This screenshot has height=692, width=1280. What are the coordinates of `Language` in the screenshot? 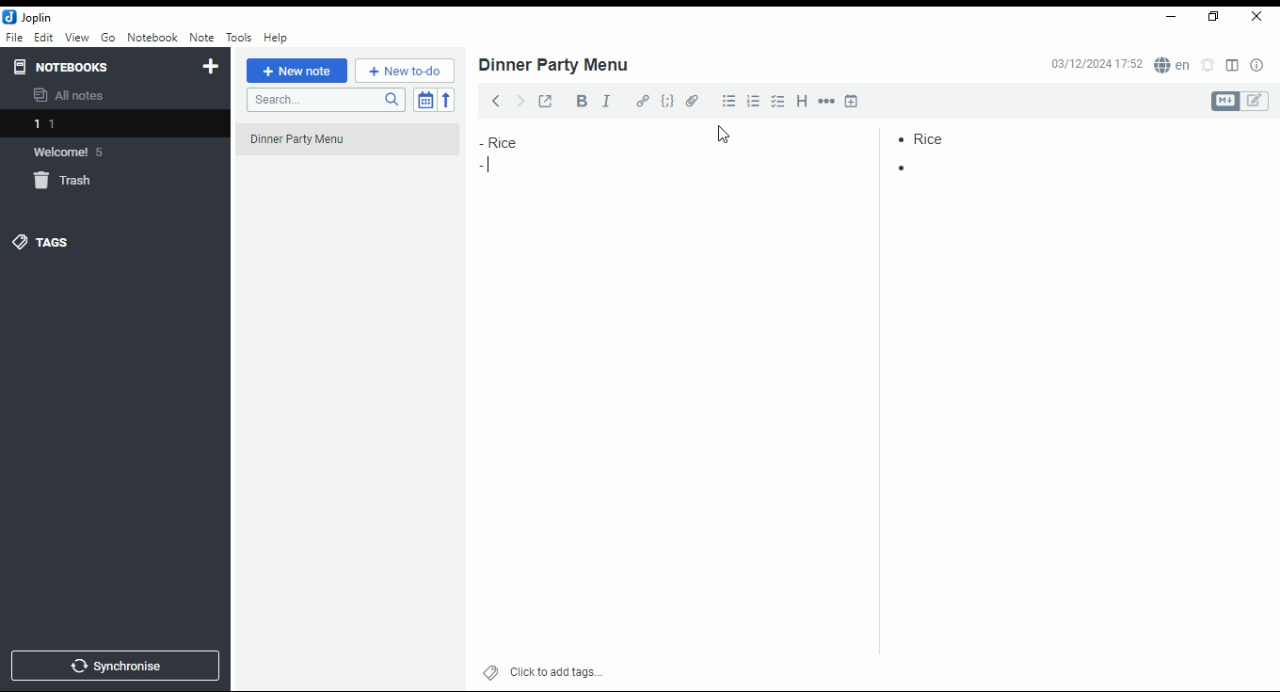 It's located at (1171, 65).